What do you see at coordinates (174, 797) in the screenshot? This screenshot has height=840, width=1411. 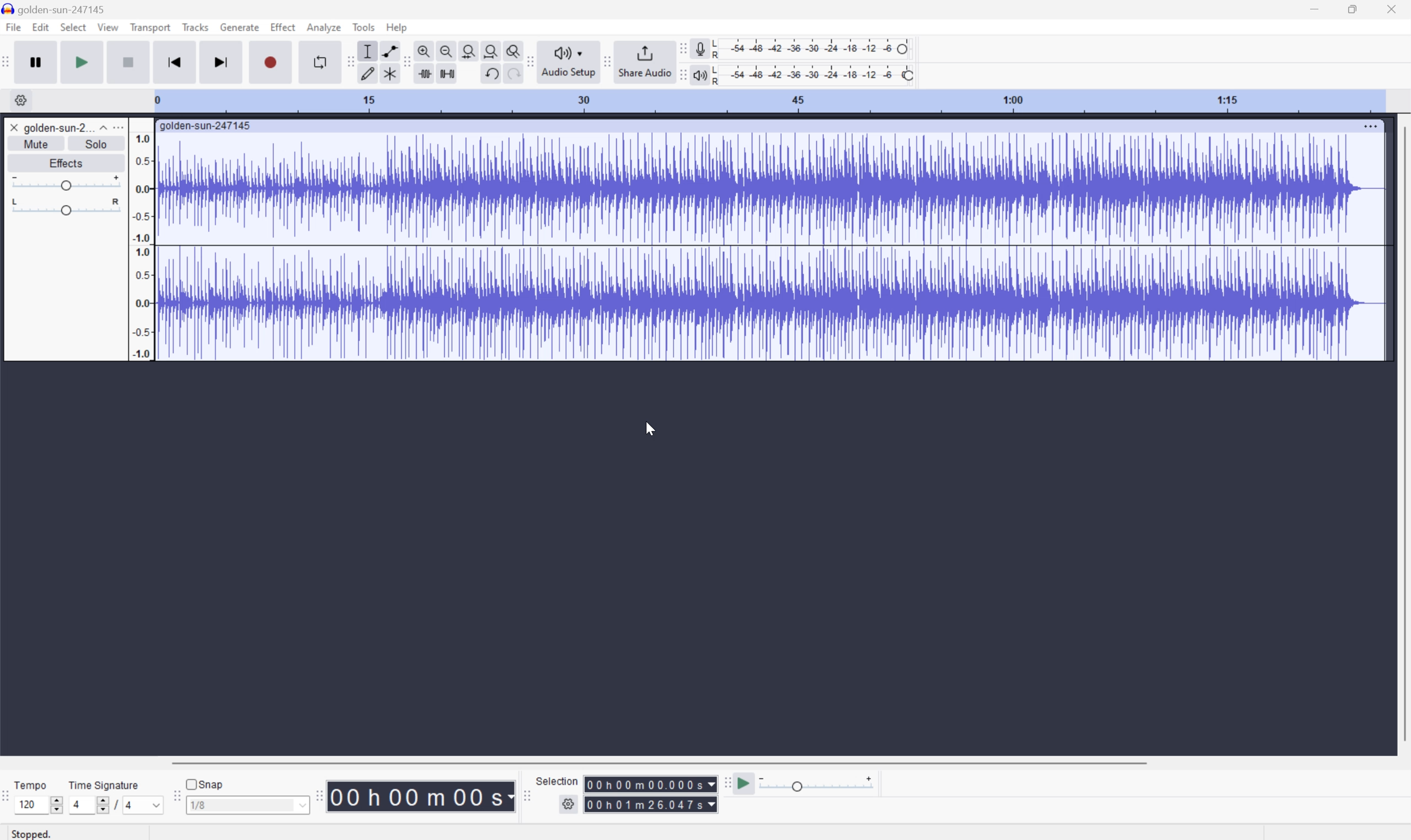 I see `Audacity Snapping toobar` at bounding box center [174, 797].